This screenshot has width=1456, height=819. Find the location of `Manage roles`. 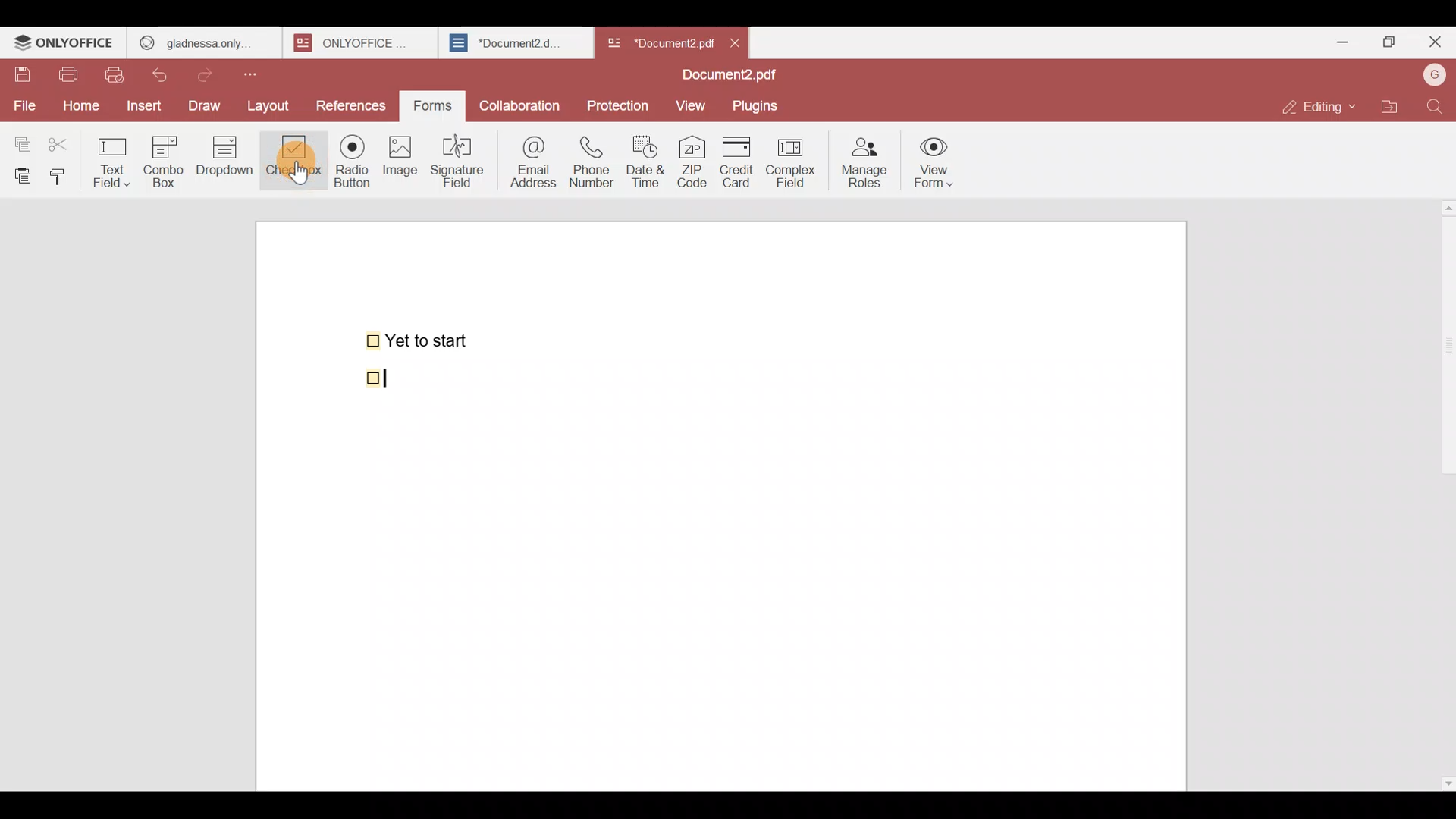

Manage roles is located at coordinates (864, 158).